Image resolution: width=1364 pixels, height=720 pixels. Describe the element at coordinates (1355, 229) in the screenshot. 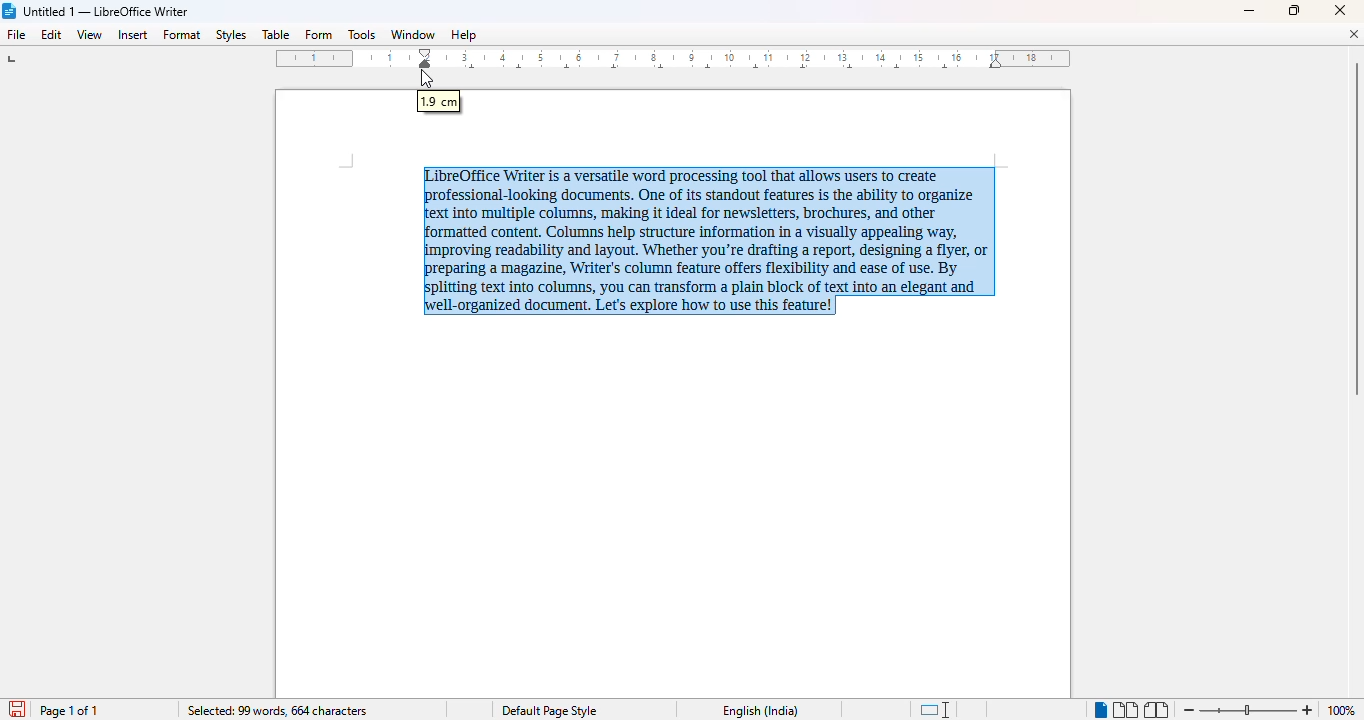

I see `vertical scroll bar` at that location.